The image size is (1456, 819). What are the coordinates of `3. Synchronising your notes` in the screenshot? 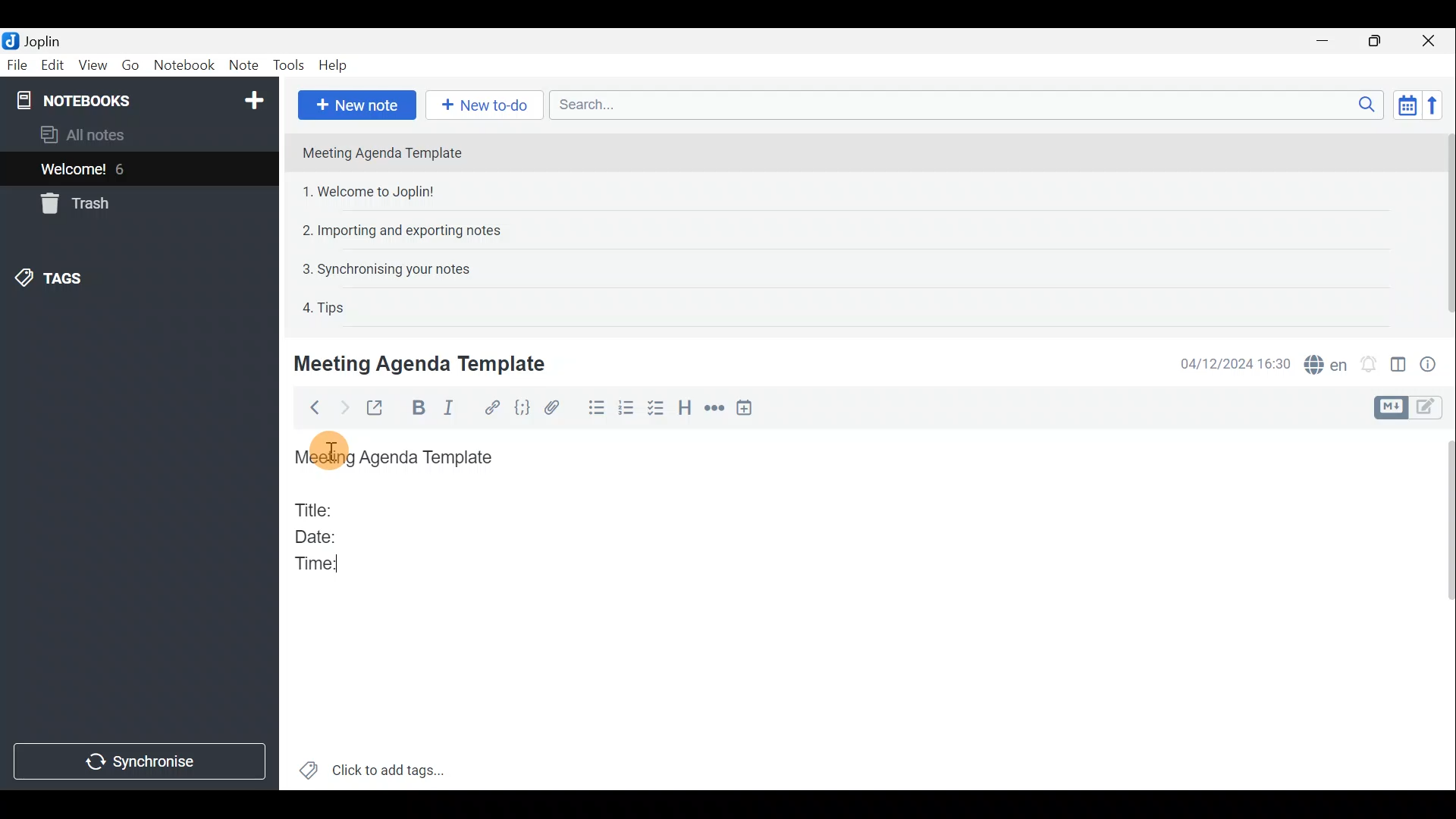 It's located at (386, 268).